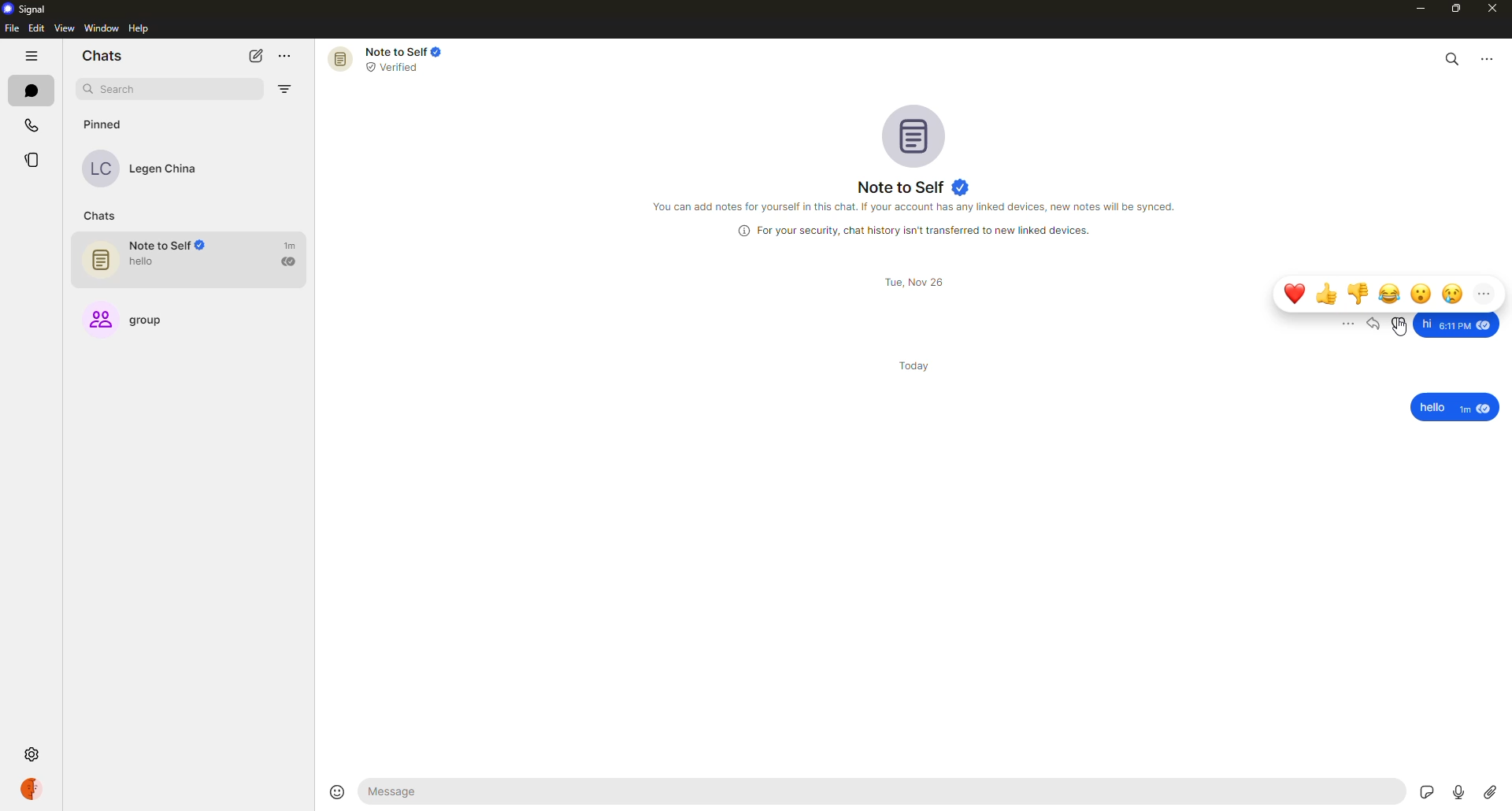 The width and height of the screenshot is (1512, 811). Describe the element at coordinates (288, 91) in the screenshot. I see `filter` at that location.